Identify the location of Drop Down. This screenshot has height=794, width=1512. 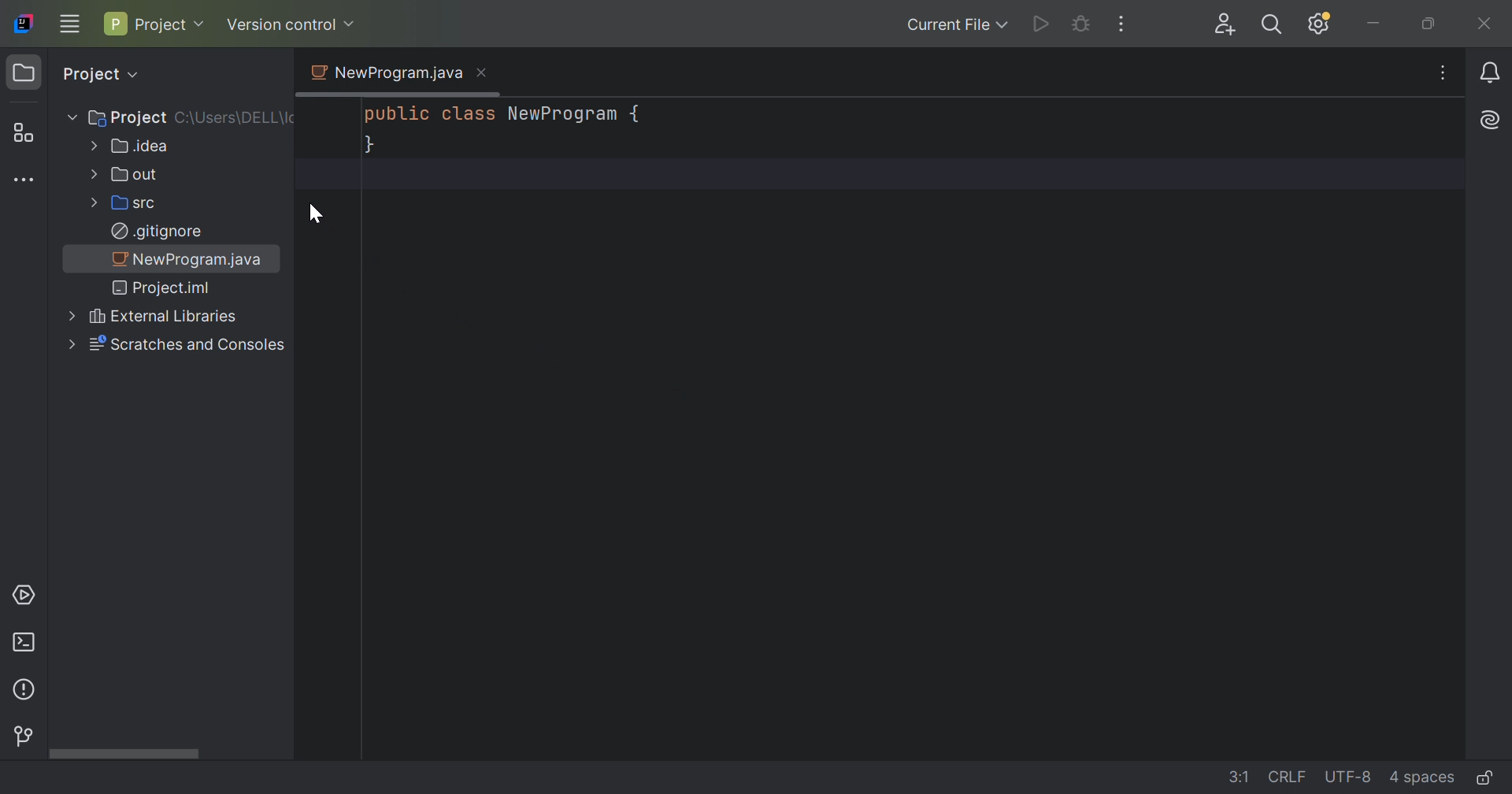
(92, 173).